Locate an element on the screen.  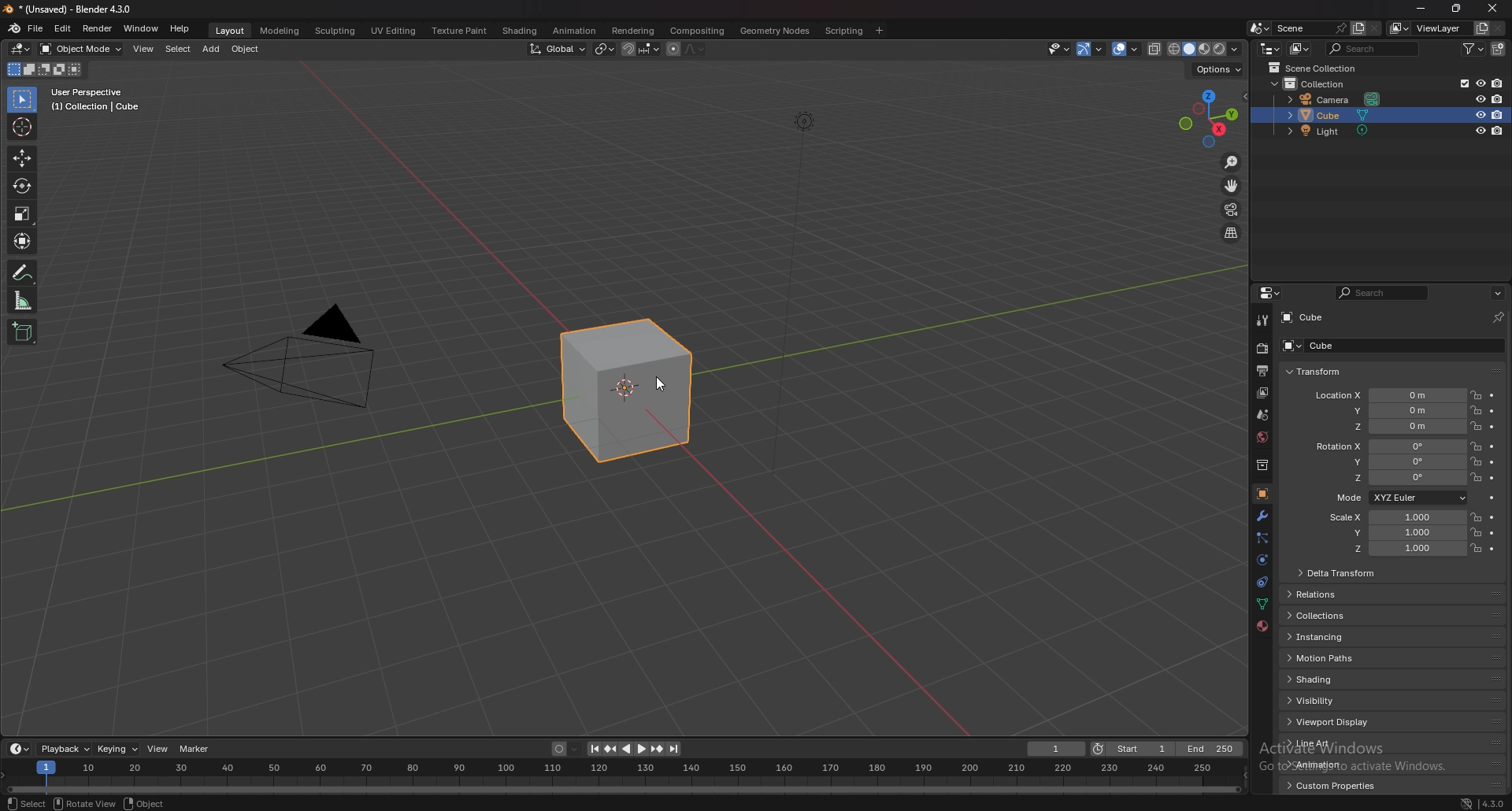
cursor is located at coordinates (21, 127).